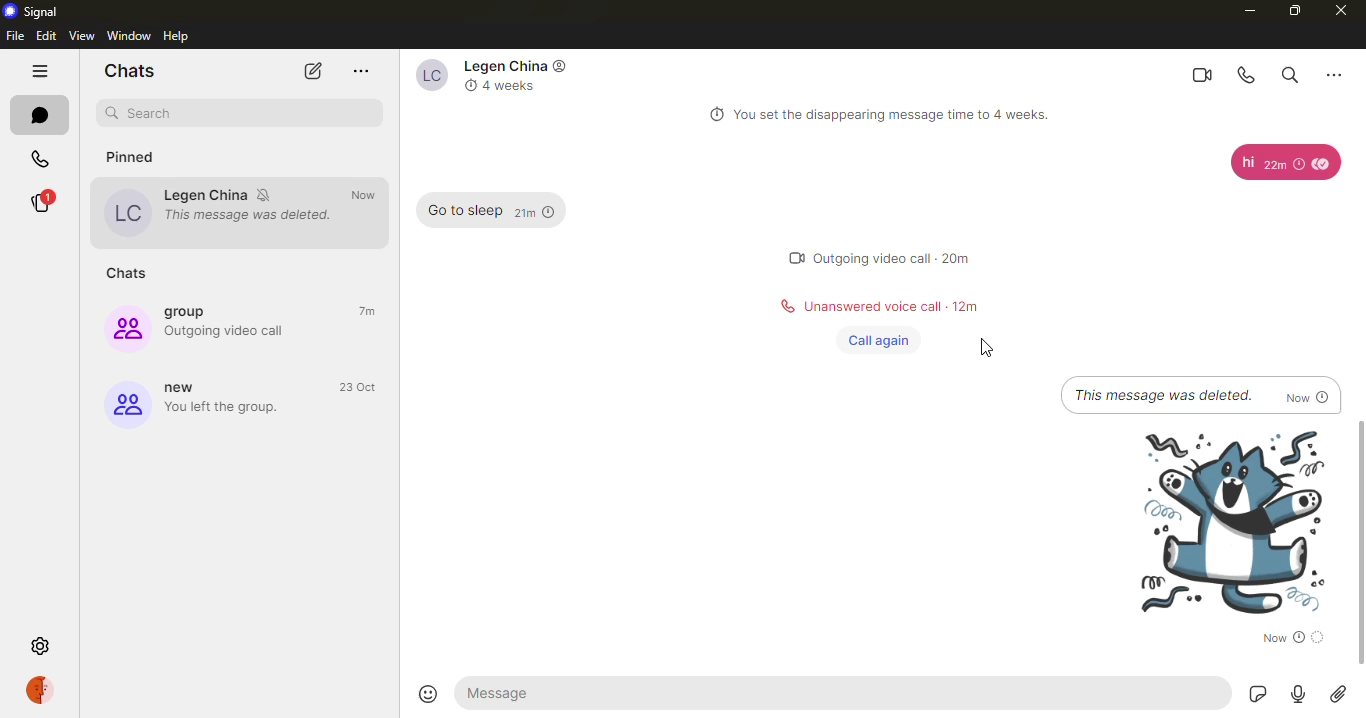 The height and width of the screenshot is (718, 1366). I want to click on 7m, so click(370, 312).